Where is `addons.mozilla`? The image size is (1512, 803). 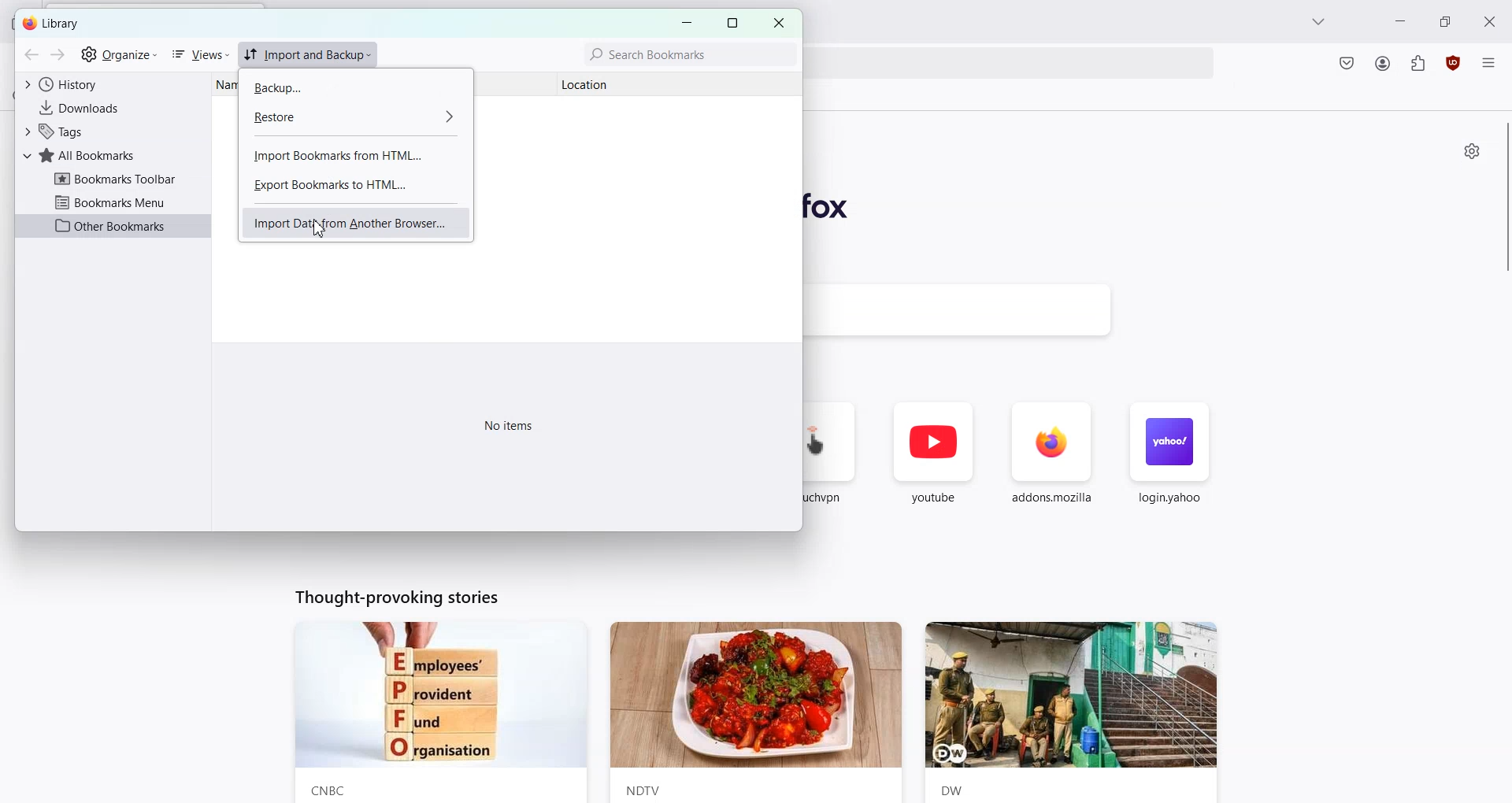 addons.mozilla is located at coordinates (1052, 463).